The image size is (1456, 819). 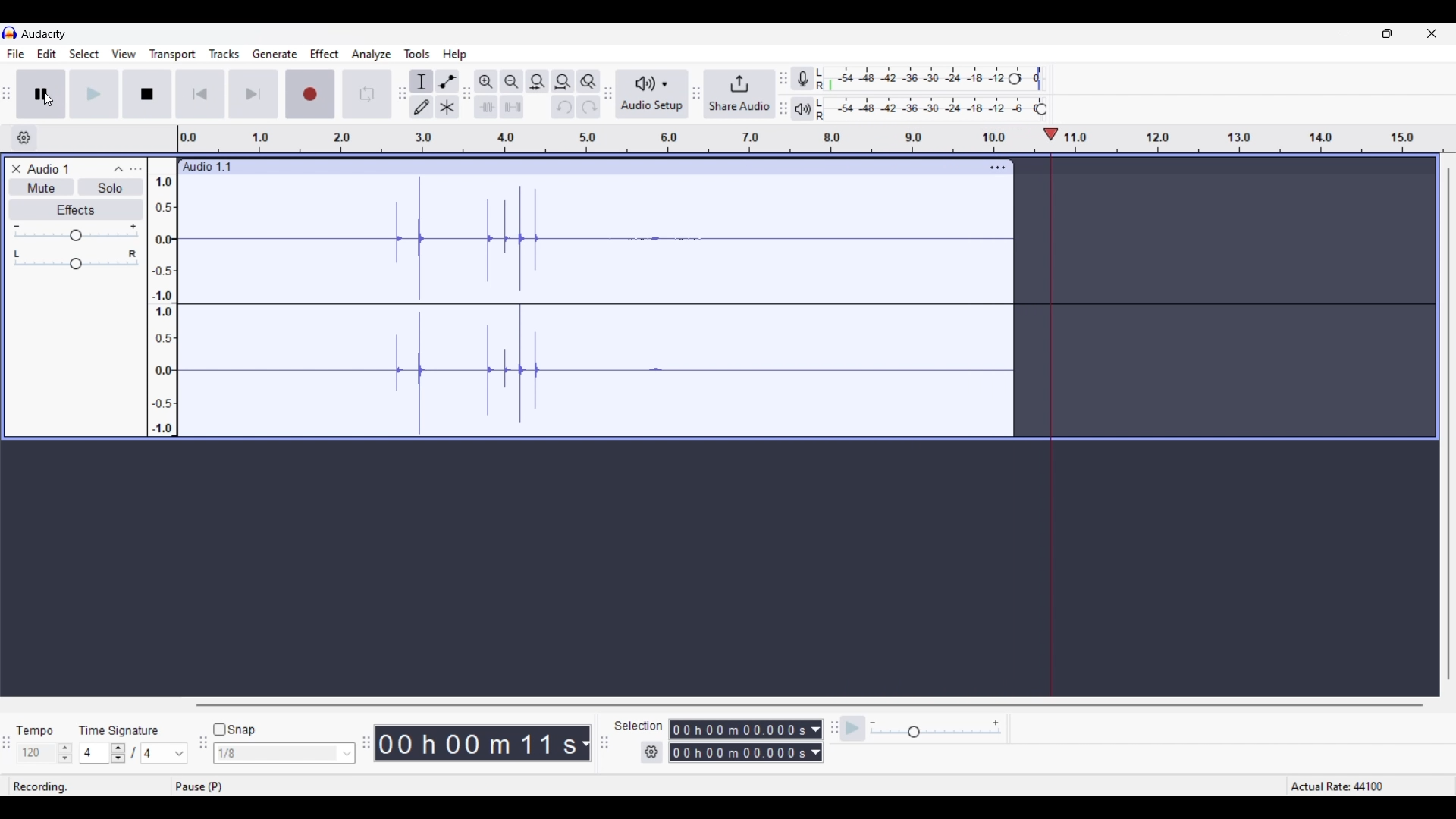 What do you see at coordinates (1452, 424) in the screenshot?
I see `Vertical slide bar` at bounding box center [1452, 424].